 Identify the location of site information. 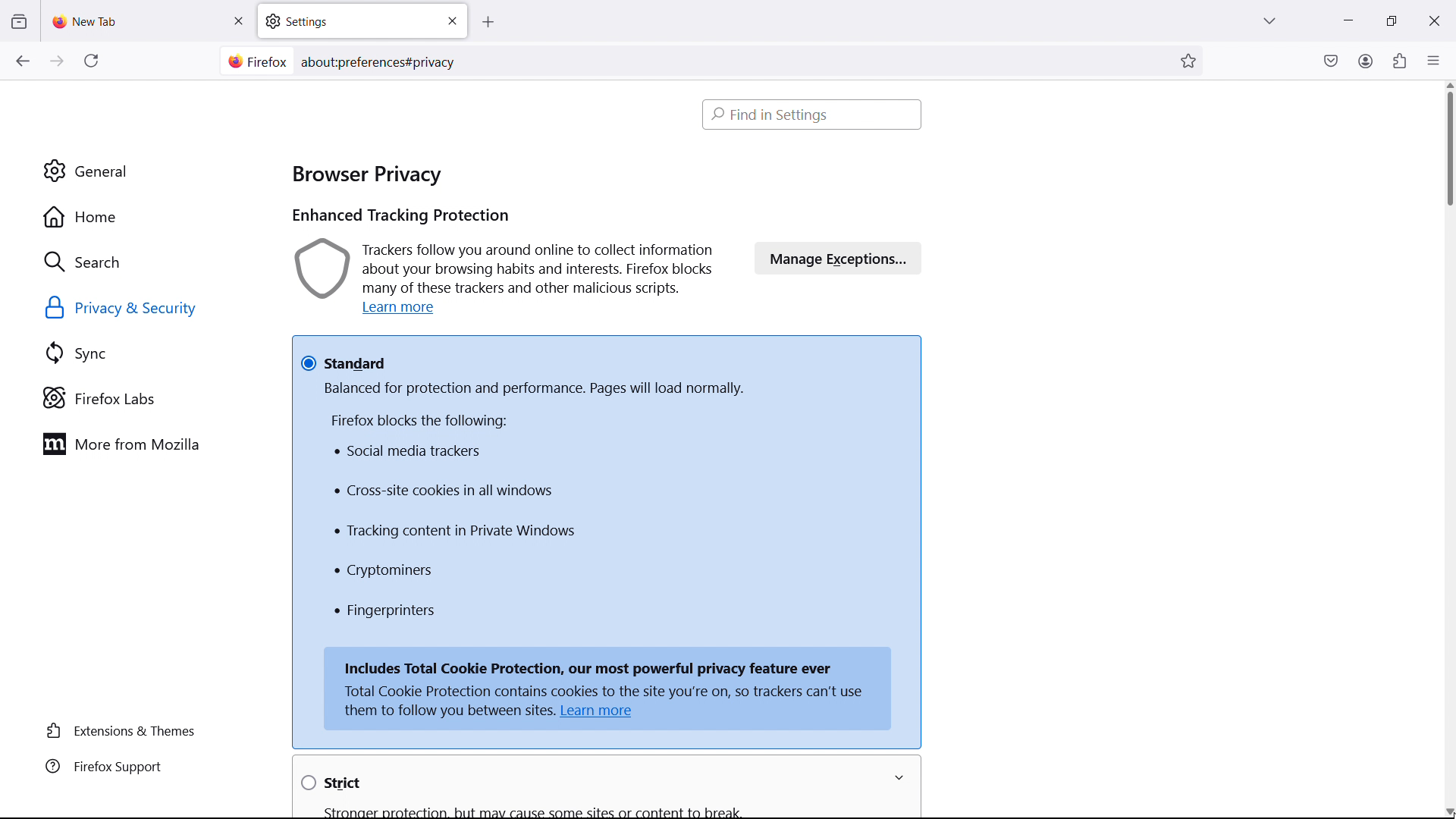
(255, 61).